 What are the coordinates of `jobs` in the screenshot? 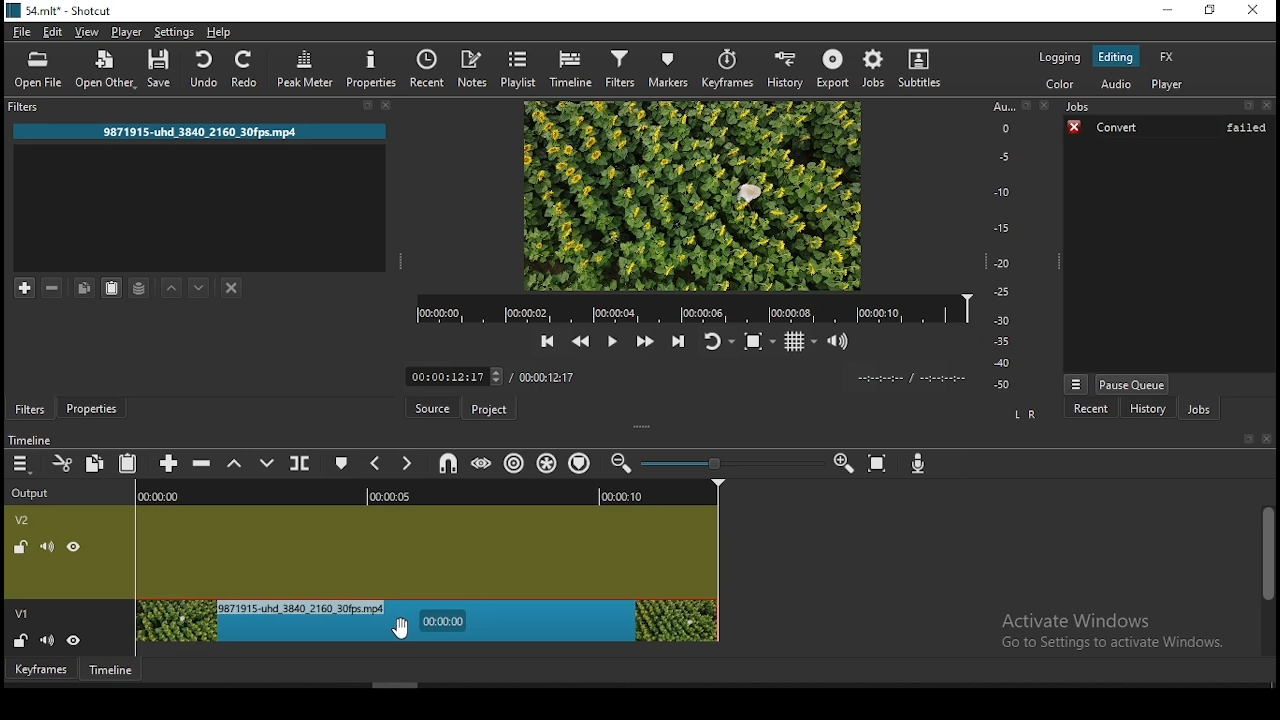 It's located at (872, 67).